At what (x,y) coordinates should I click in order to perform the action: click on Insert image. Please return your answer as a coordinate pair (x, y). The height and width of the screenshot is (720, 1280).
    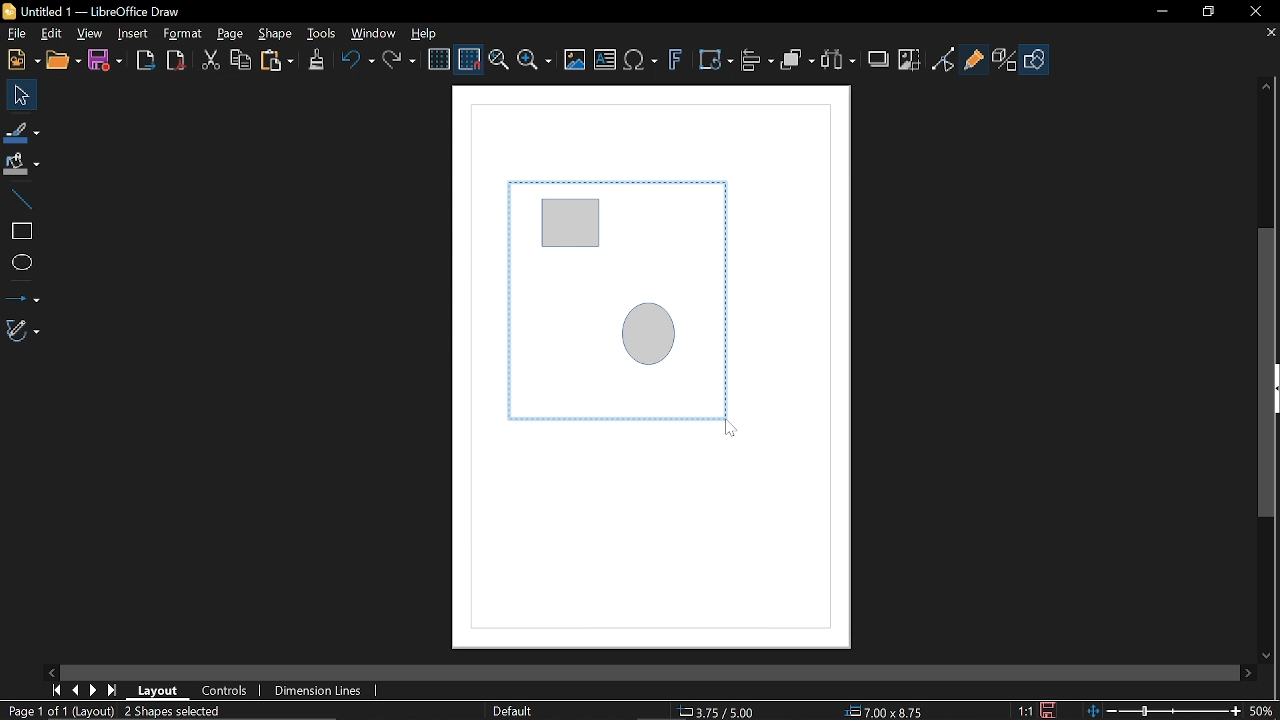
    Looking at the image, I should click on (574, 60).